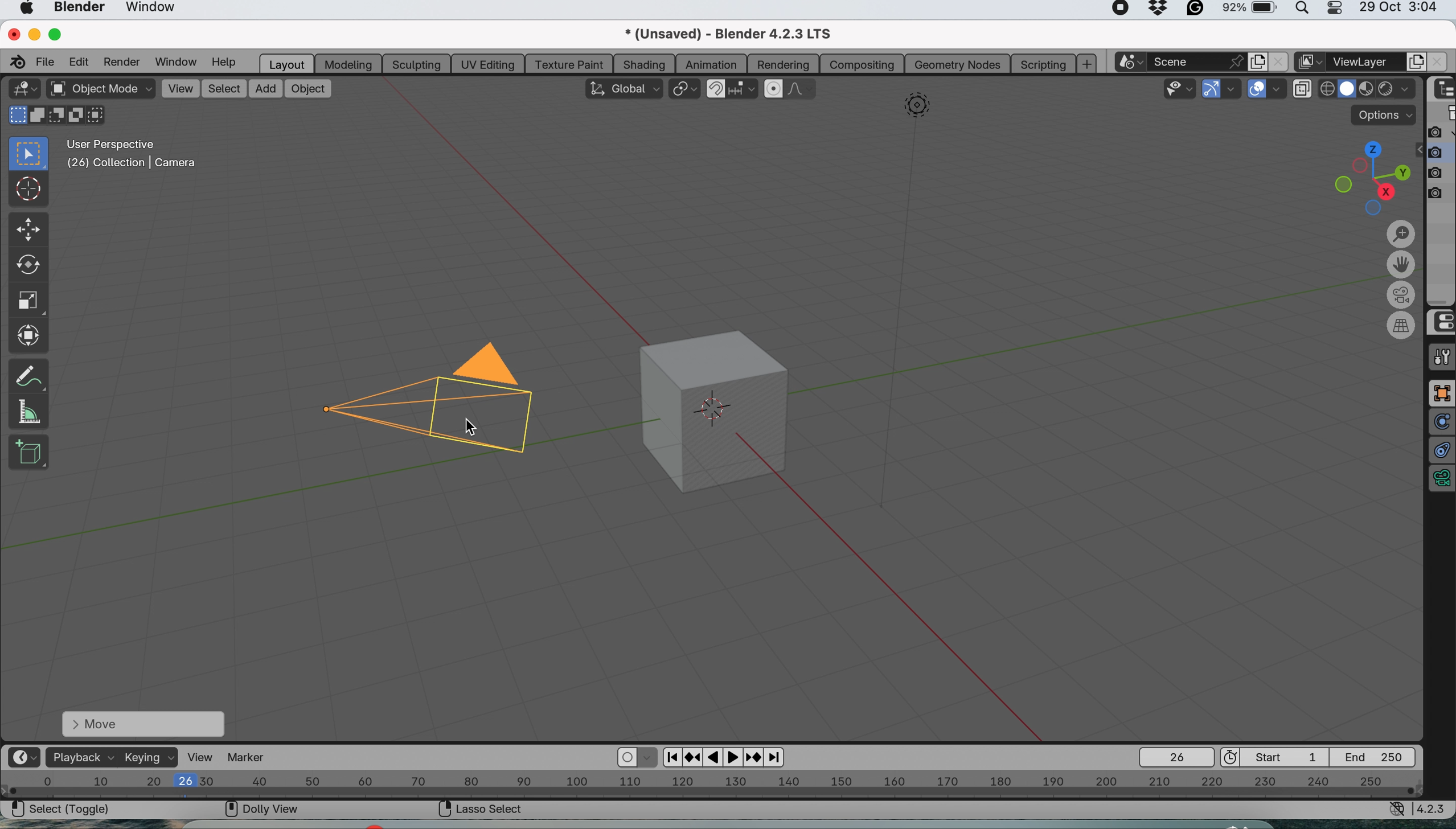  What do you see at coordinates (475, 811) in the screenshot?
I see `Lasso select` at bounding box center [475, 811].